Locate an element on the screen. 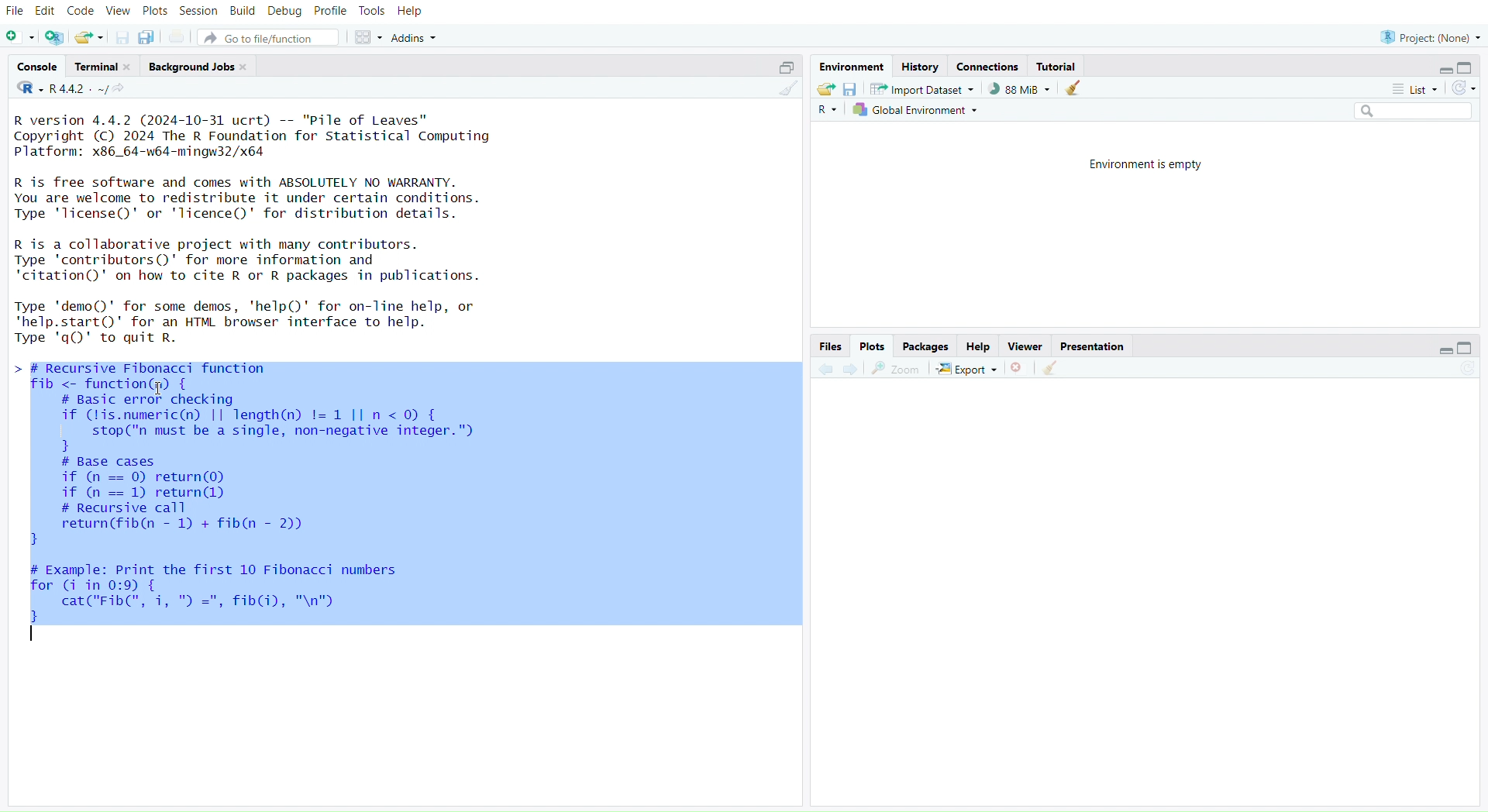  88mib is located at coordinates (1020, 89).